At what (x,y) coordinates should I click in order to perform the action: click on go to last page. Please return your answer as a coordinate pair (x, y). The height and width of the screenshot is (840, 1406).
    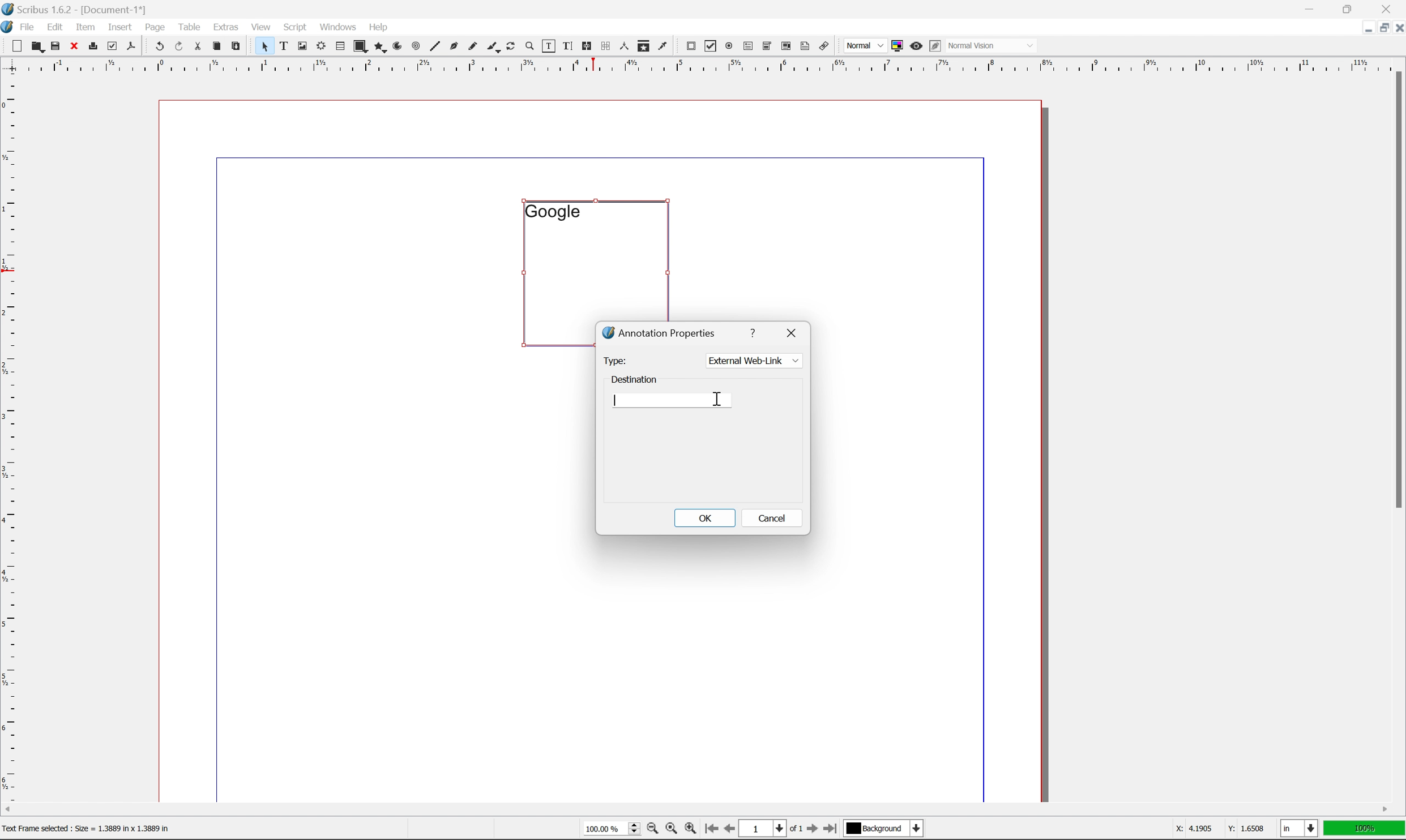
    Looking at the image, I should click on (830, 829).